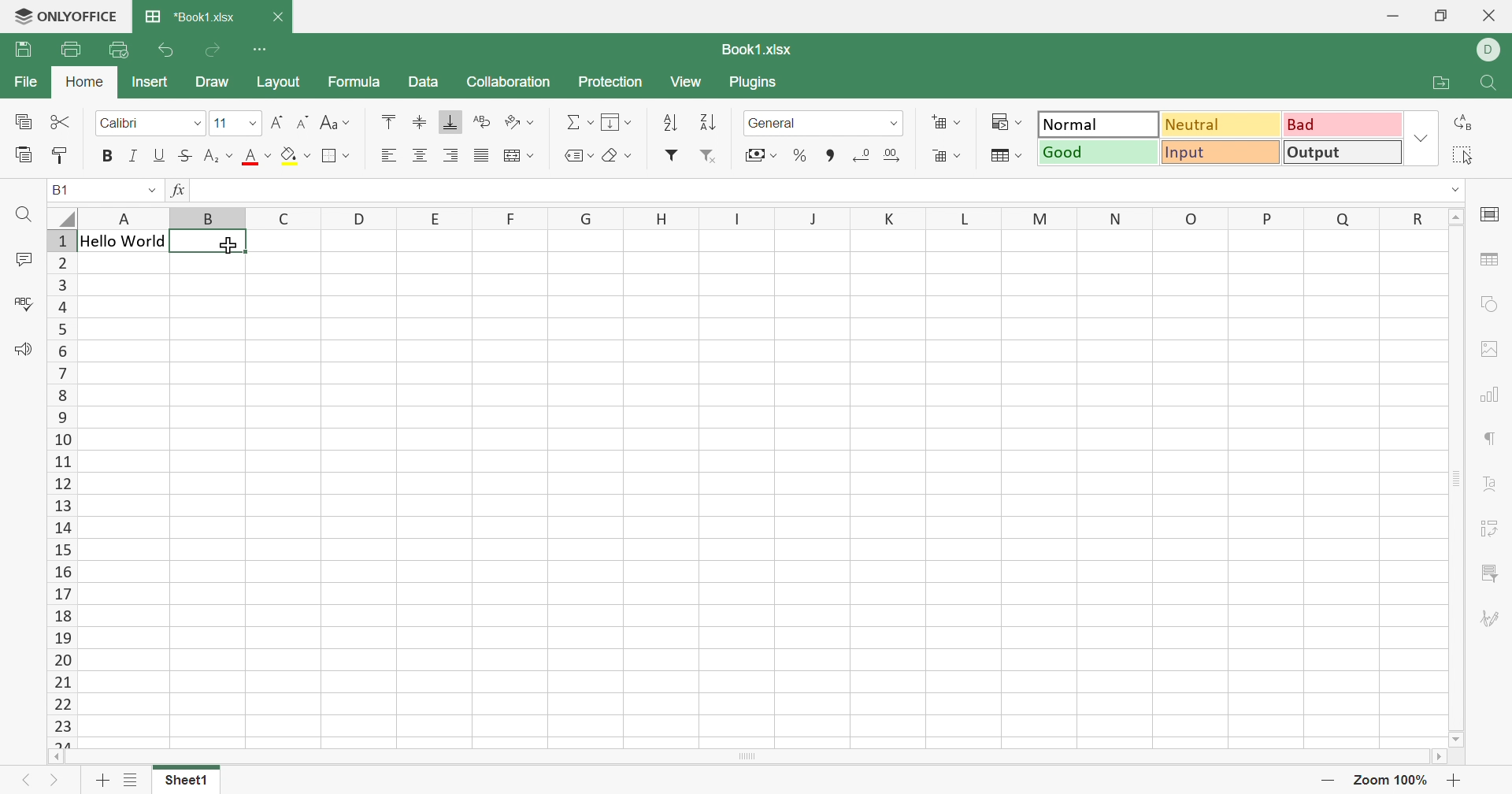 The width and height of the screenshot is (1512, 794). What do you see at coordinates (236, 123) in the screenshot?
I see `Font size` at bounding box center [236, 123].